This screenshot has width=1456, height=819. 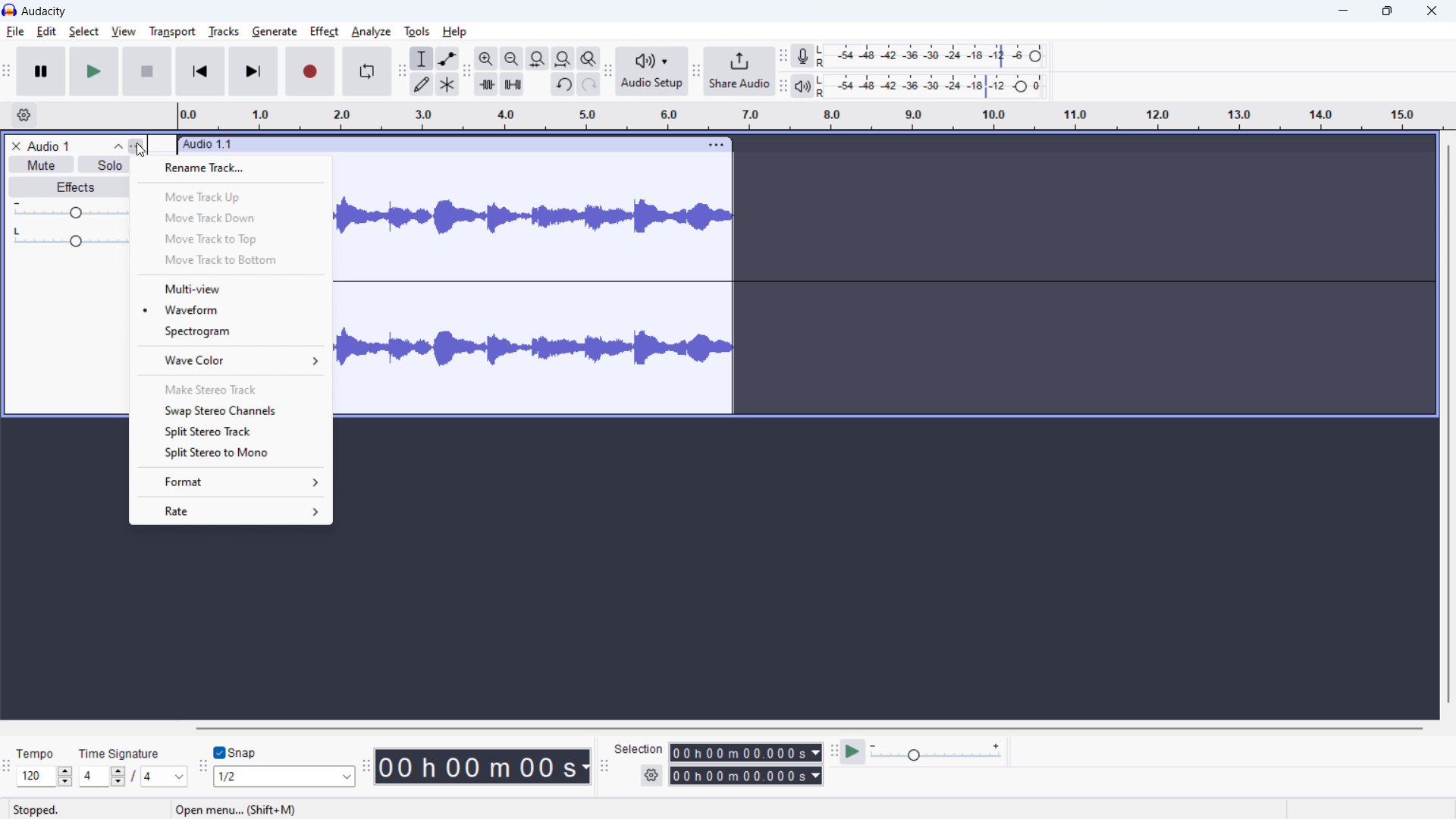 What do you see at coordinates (229, 453) in the screenshot?
I see `split stereo to mono` at bounding box center [229, 453].